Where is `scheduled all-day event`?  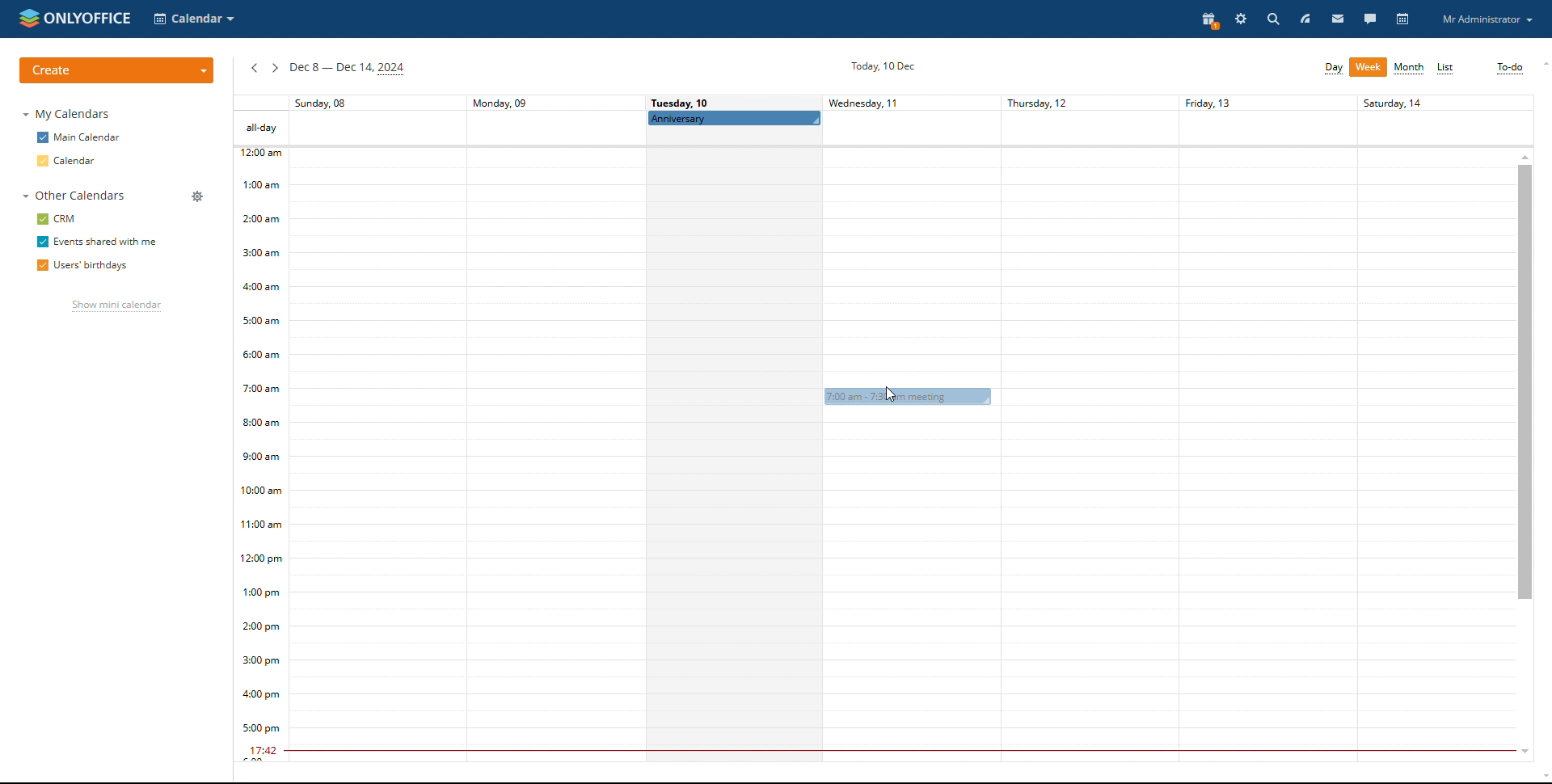 scheduled all-day event is located at coordinates (735, 118).